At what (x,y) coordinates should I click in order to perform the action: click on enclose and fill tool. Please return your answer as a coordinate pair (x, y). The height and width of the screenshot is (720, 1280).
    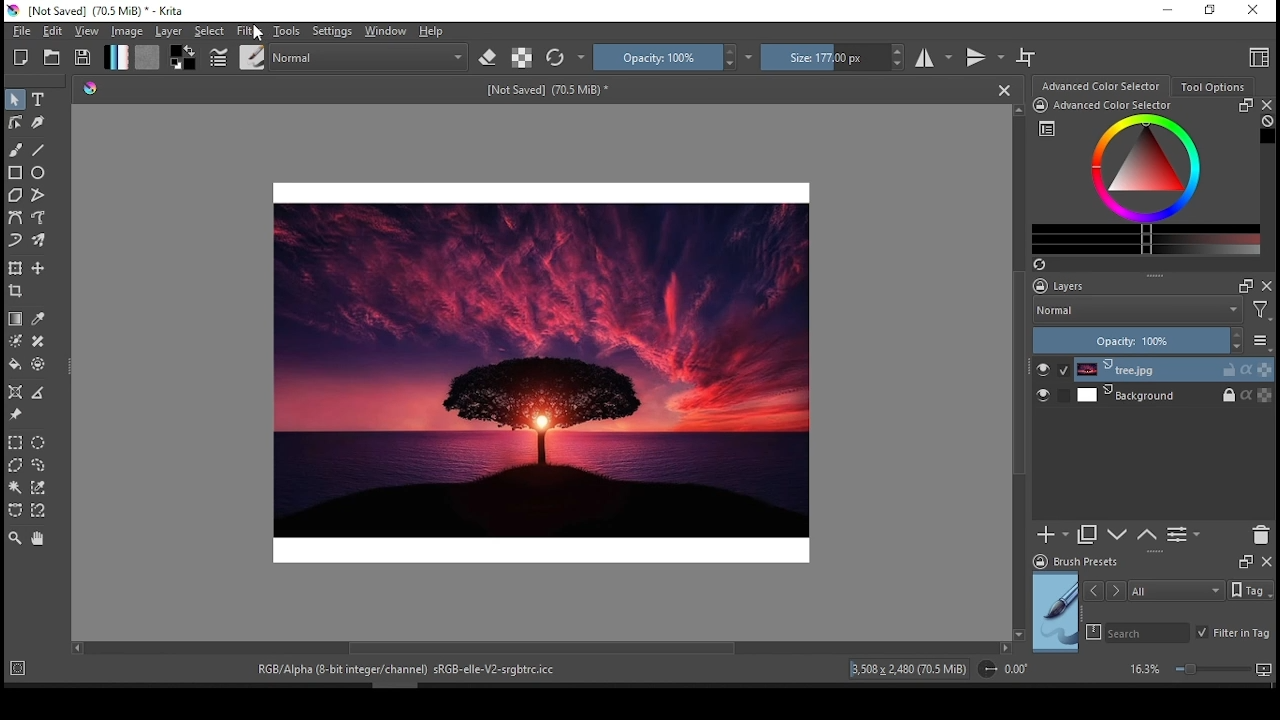
    Looking at the image, I should click on (40, 365).